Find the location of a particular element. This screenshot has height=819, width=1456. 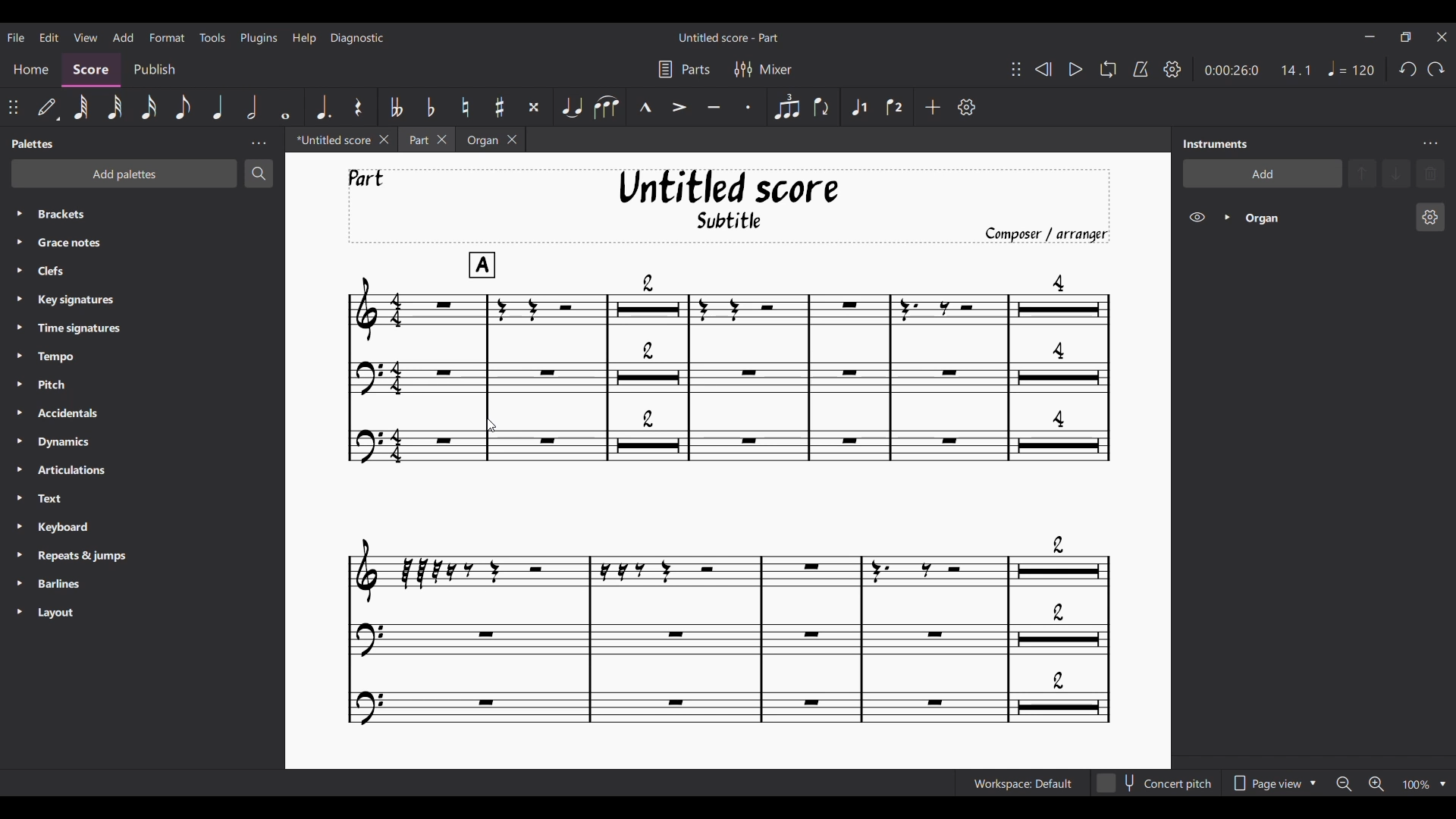

Metronome is located at coordinates (1141, 69).